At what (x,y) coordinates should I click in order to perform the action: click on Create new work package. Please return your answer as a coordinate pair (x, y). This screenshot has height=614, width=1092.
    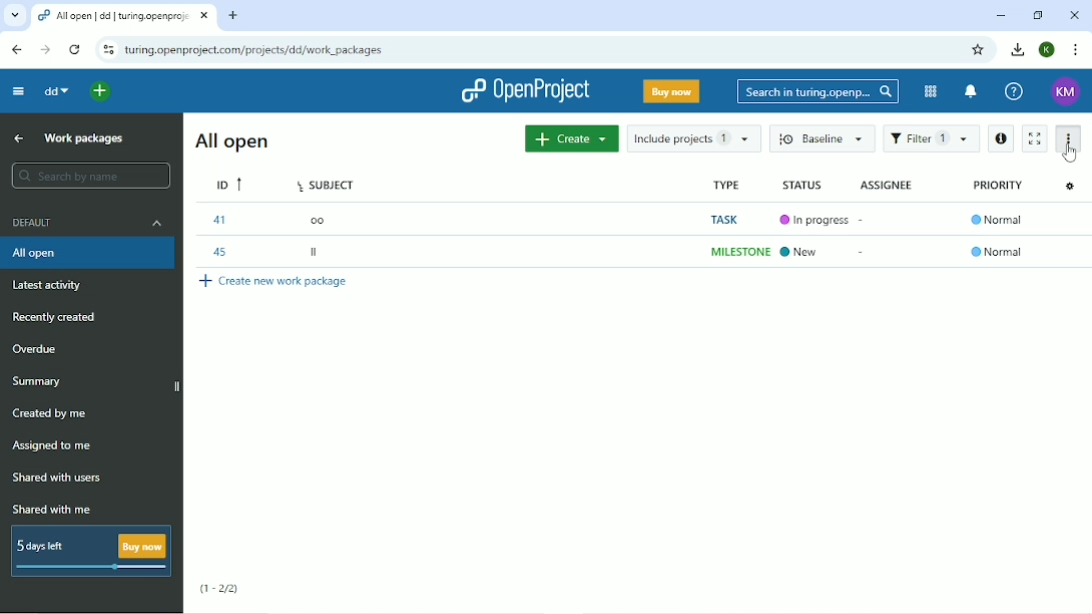
    Looking at the image, I should click on (275, 283).